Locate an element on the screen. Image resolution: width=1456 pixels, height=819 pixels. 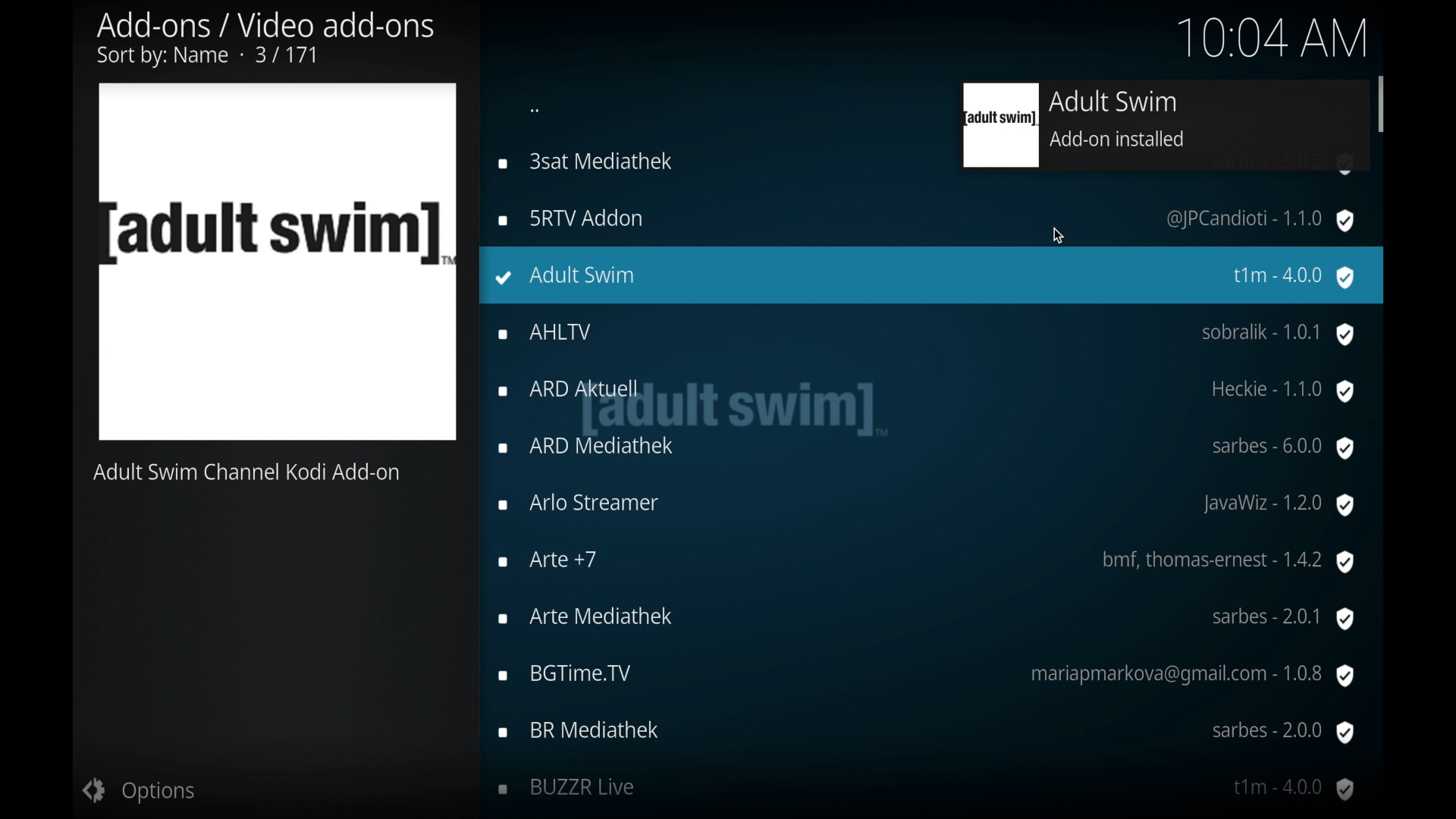
pop-up is located at coordinates (1151, 126).